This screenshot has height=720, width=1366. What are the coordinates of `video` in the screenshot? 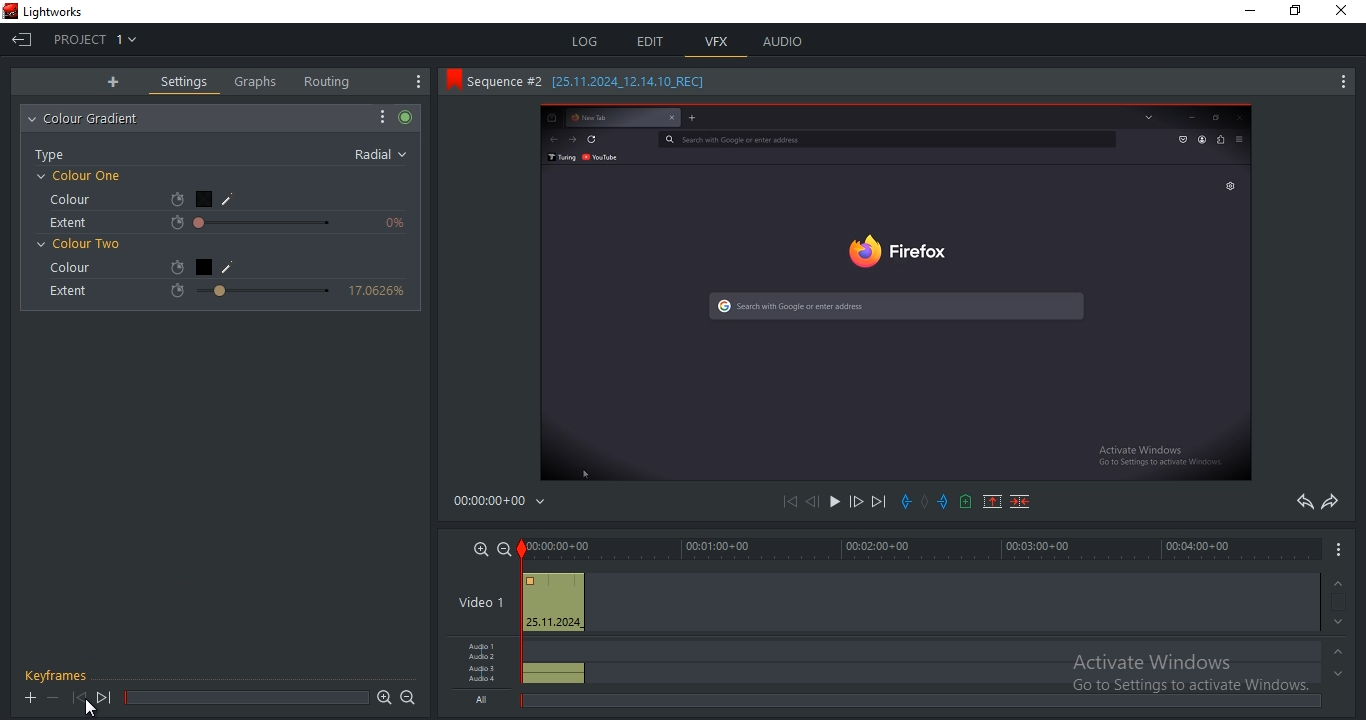 It's located at (895, 291).